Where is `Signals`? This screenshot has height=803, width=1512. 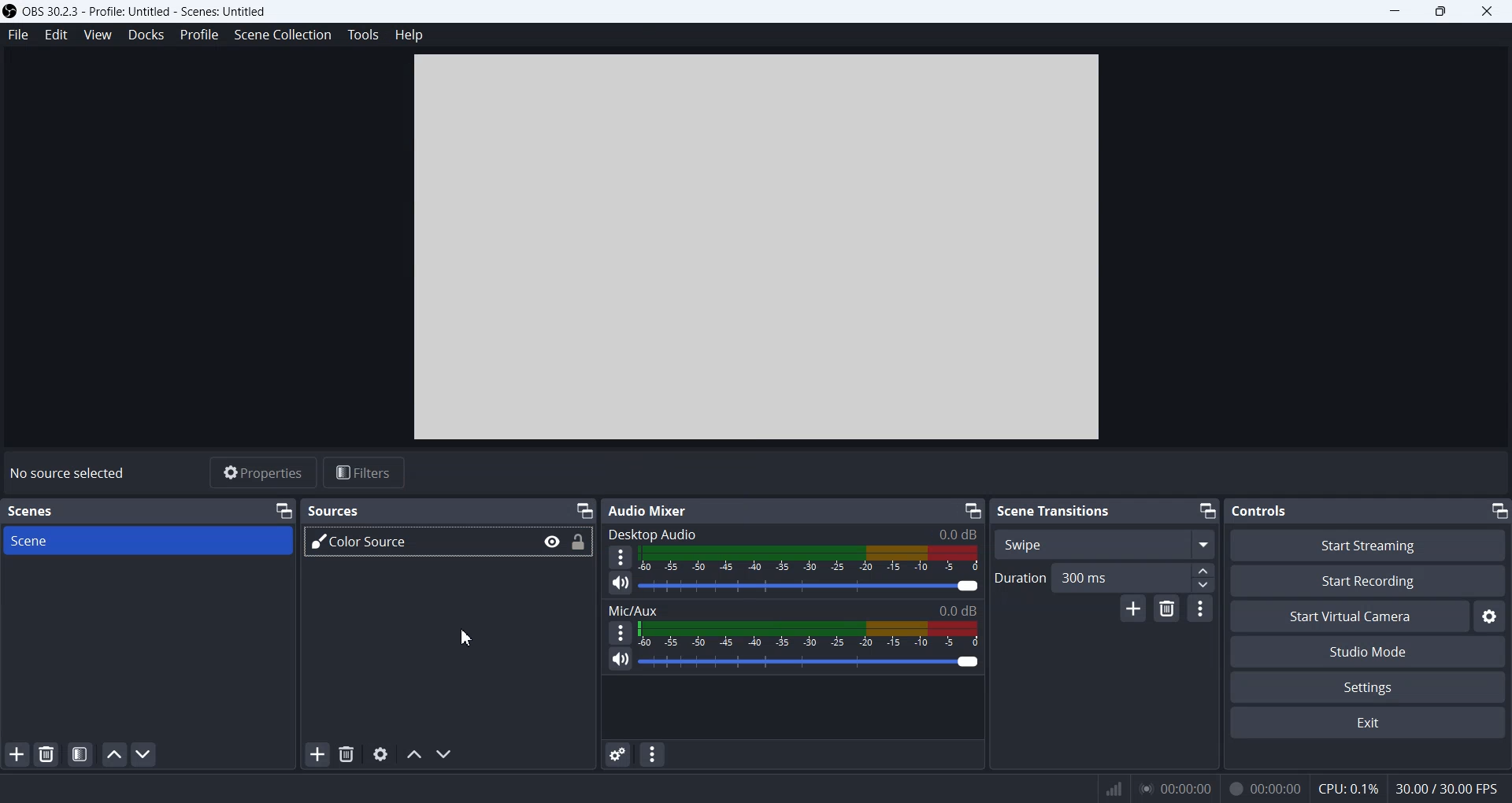
Signals is located at coordinates (1106, 787).